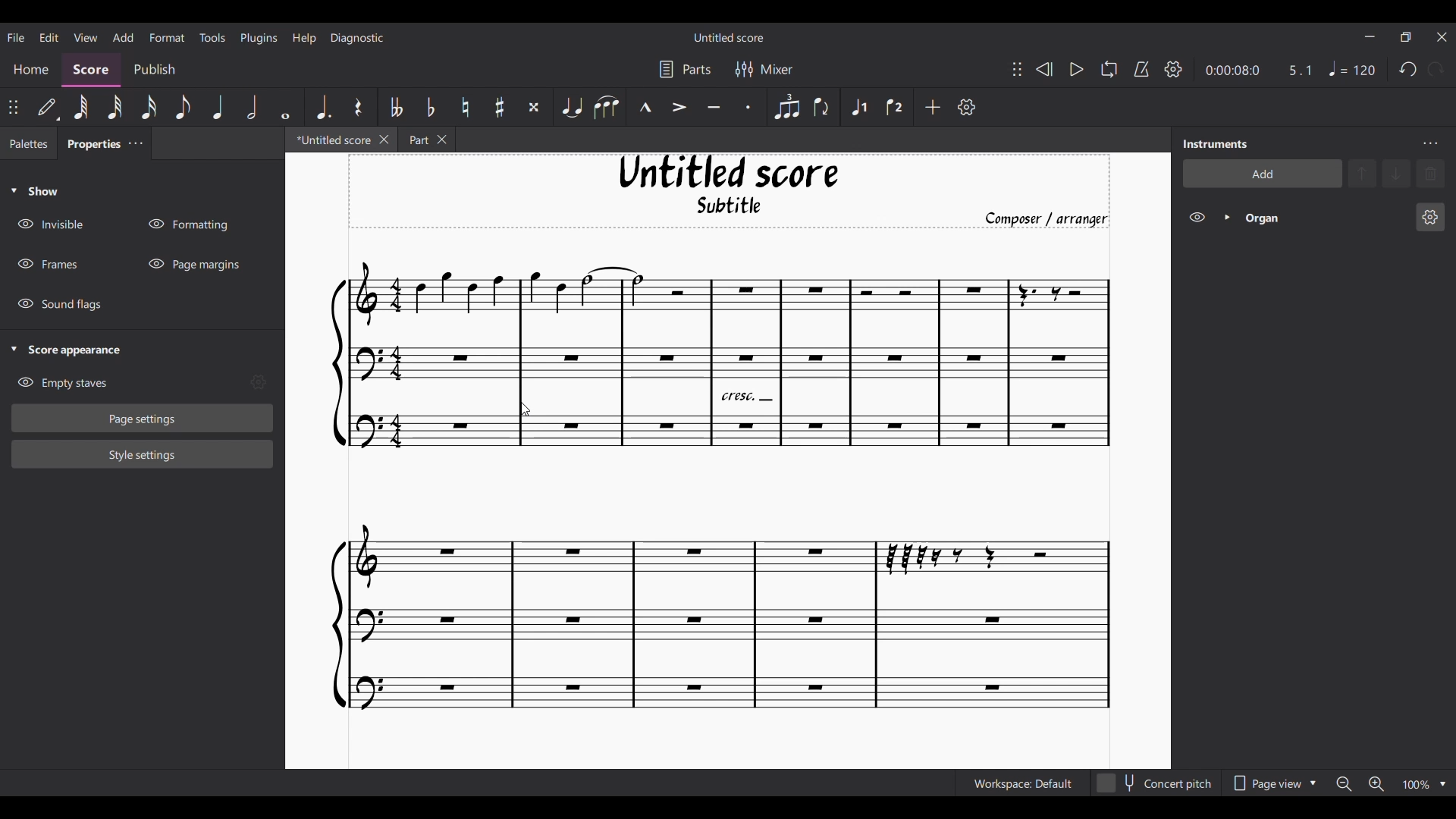 Image resolution: width=1456 pixels, height=819 pixels. I want to click on Format menu, so click(168, 36).